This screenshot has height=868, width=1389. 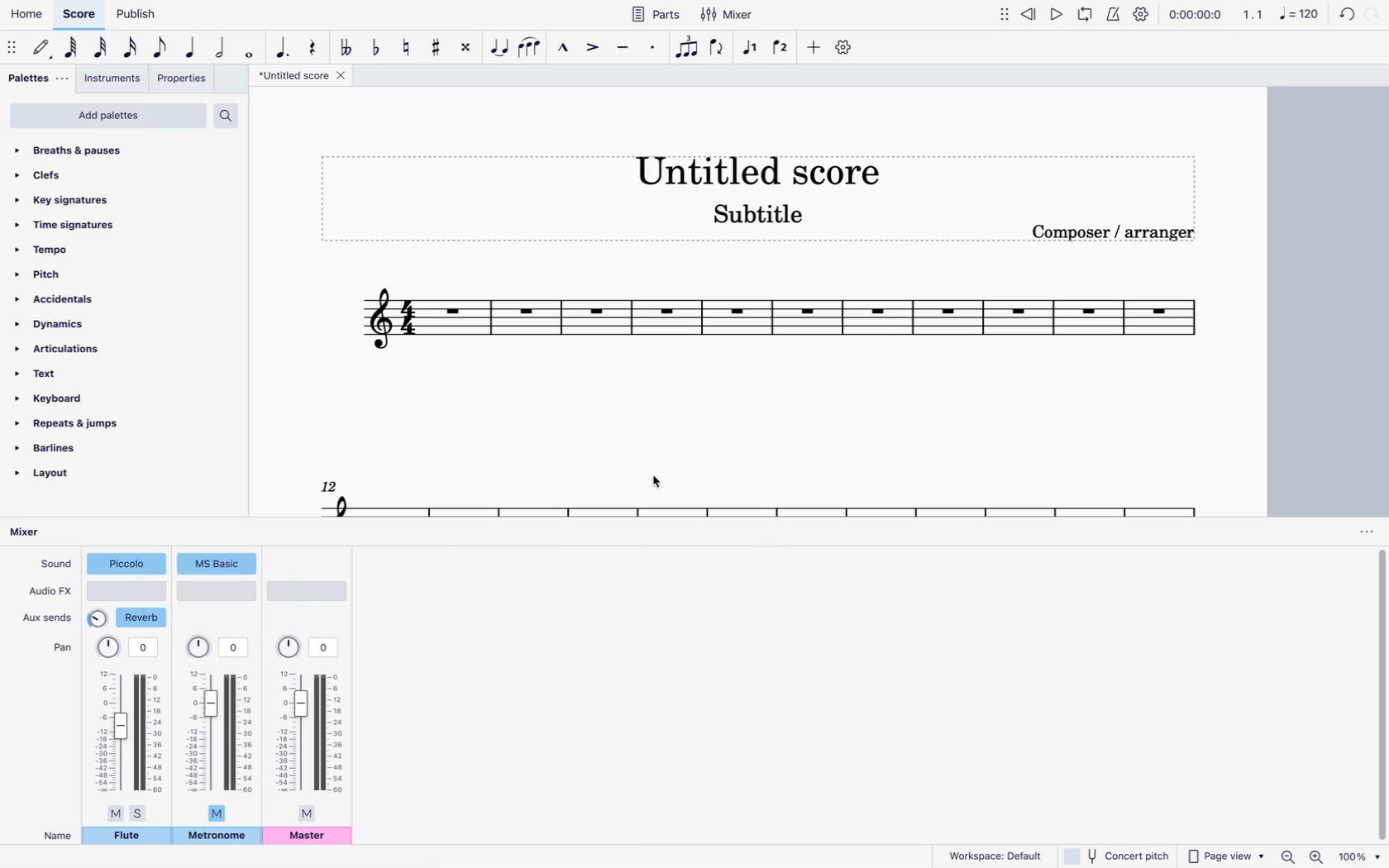 I want to click on cursor, so click(x=658, y=482).